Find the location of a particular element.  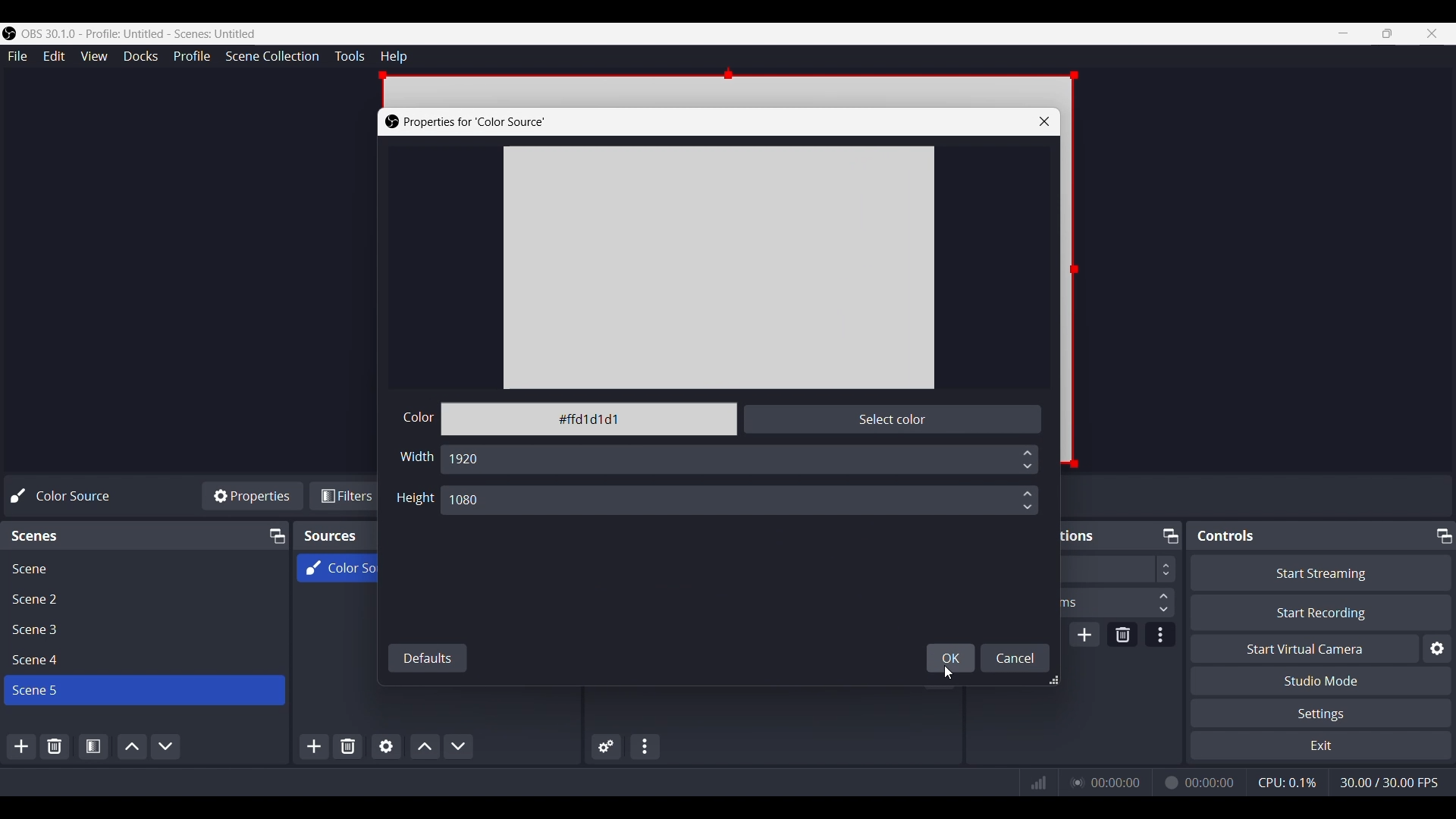

Cancel window is located at coordinates (1013, 658).